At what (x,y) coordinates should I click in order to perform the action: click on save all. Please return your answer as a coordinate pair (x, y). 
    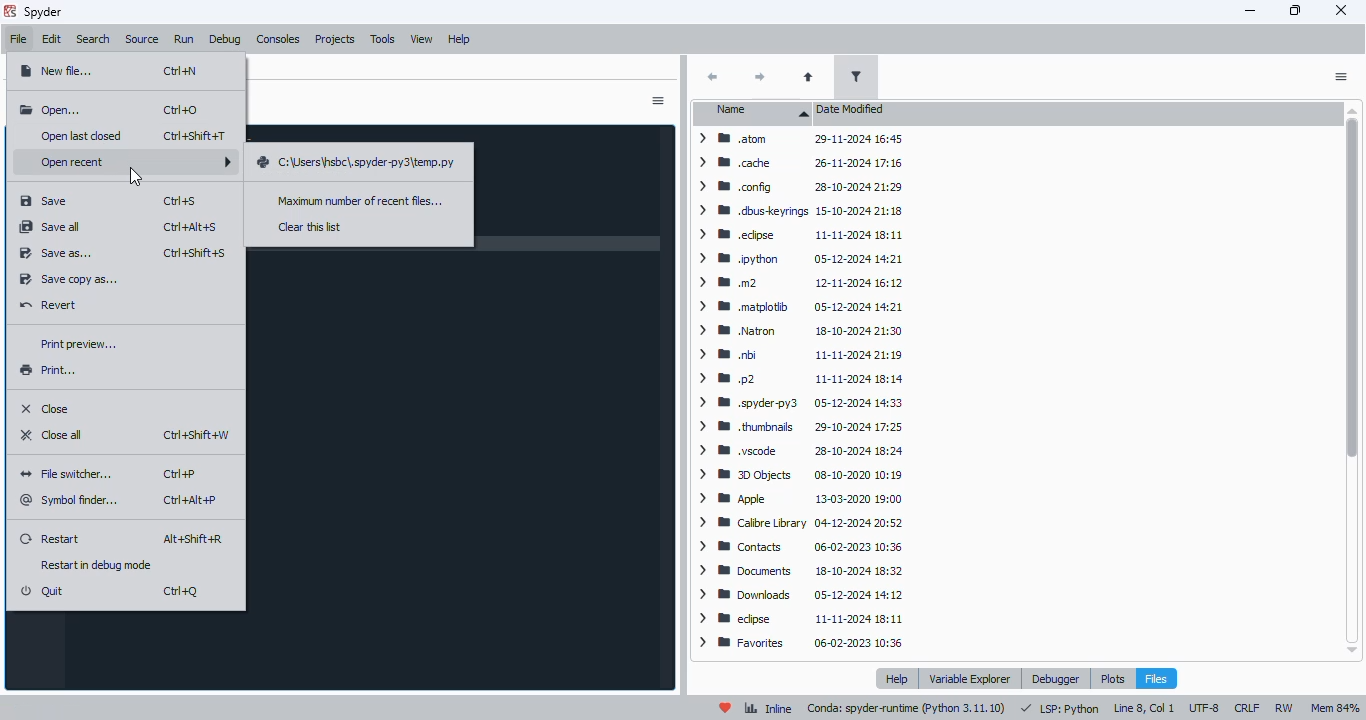
    Looking at the image, I should click on (51, 227).